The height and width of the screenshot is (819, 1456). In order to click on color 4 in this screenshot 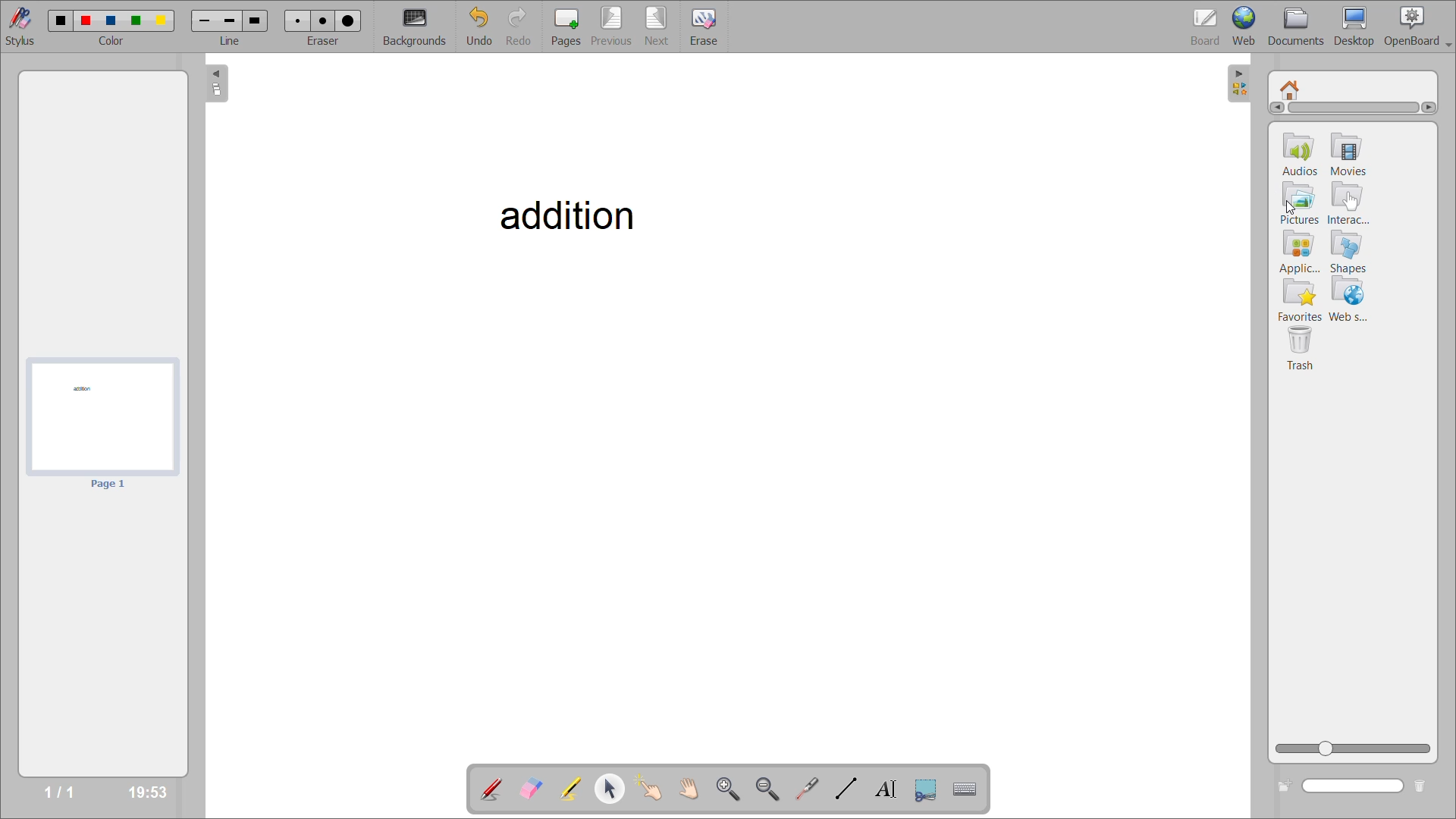, I will do `click(134, 22)`.